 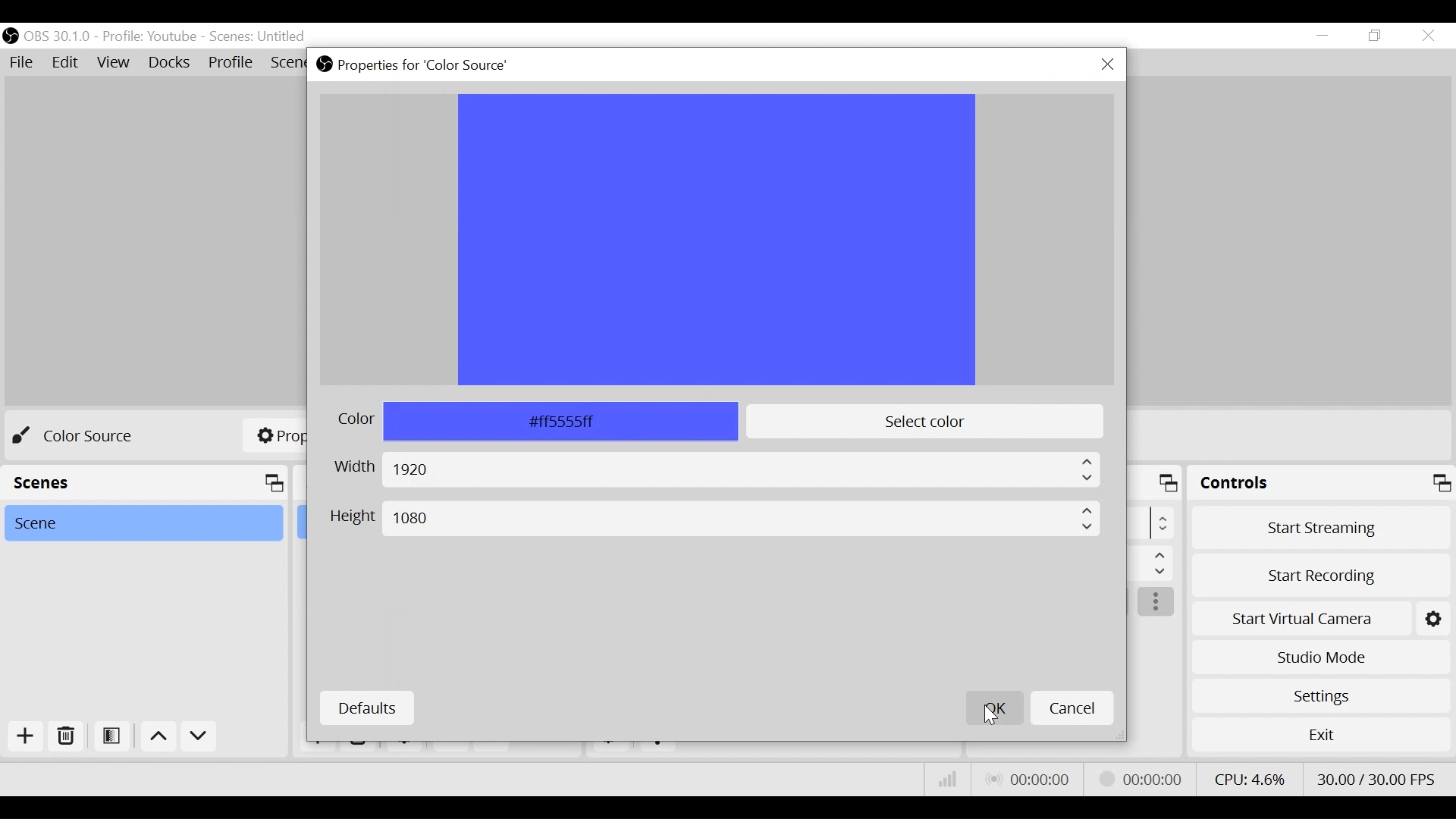 What do you see at coordinates (1070, 709) in the screenshot?
I see `Cancel` at bounding box center [1070, 709].